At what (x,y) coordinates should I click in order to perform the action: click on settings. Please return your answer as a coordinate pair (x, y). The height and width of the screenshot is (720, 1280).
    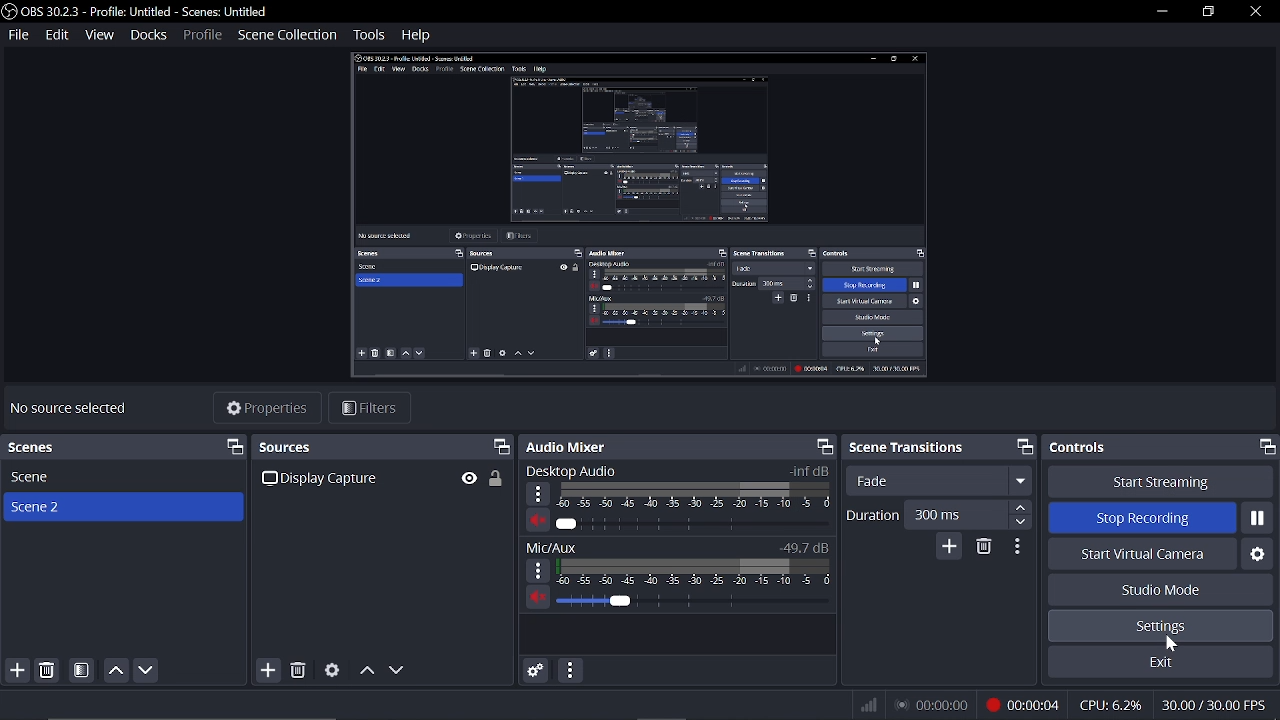
    Looking at the image, I should click on (1161, 626).